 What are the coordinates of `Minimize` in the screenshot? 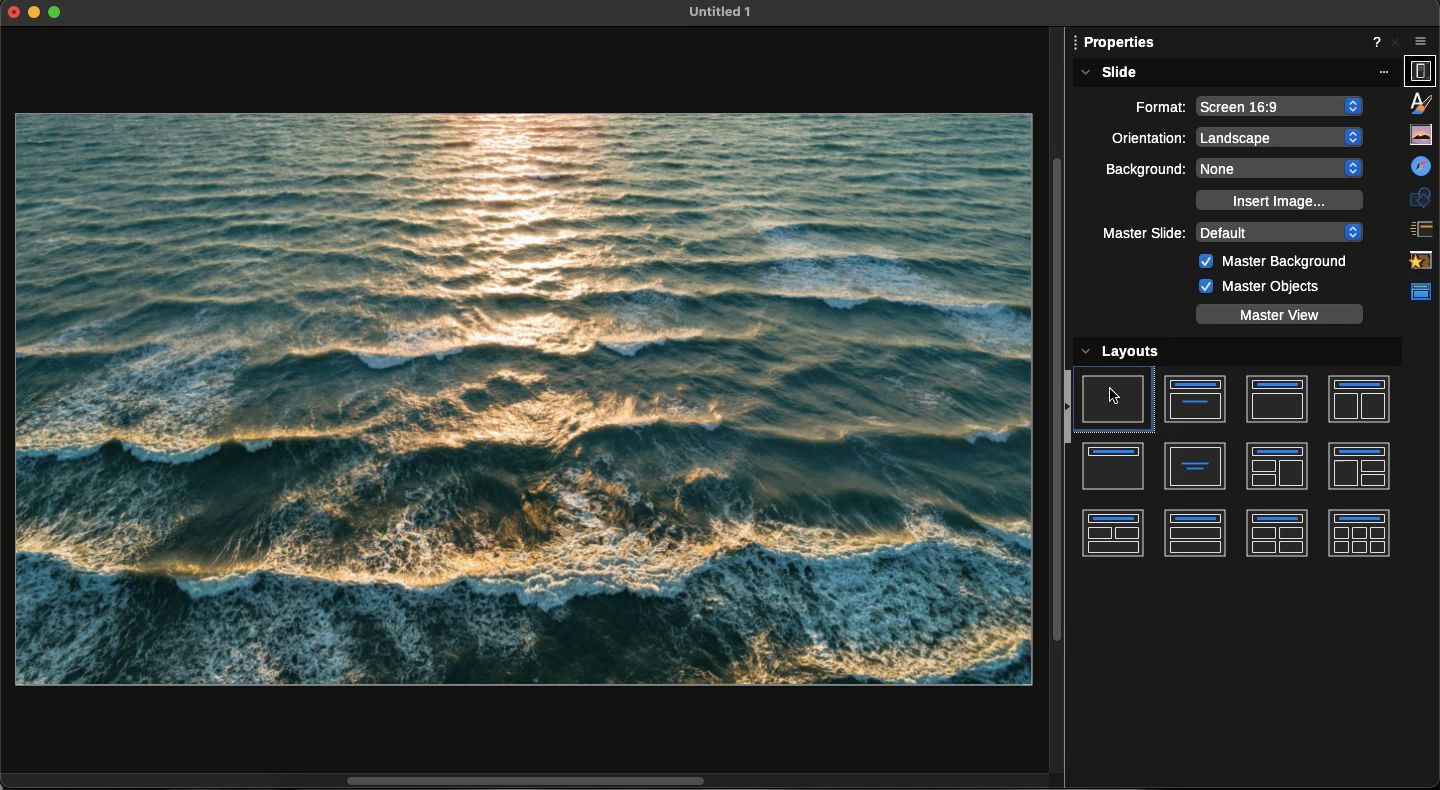 It's located at (35, 14).